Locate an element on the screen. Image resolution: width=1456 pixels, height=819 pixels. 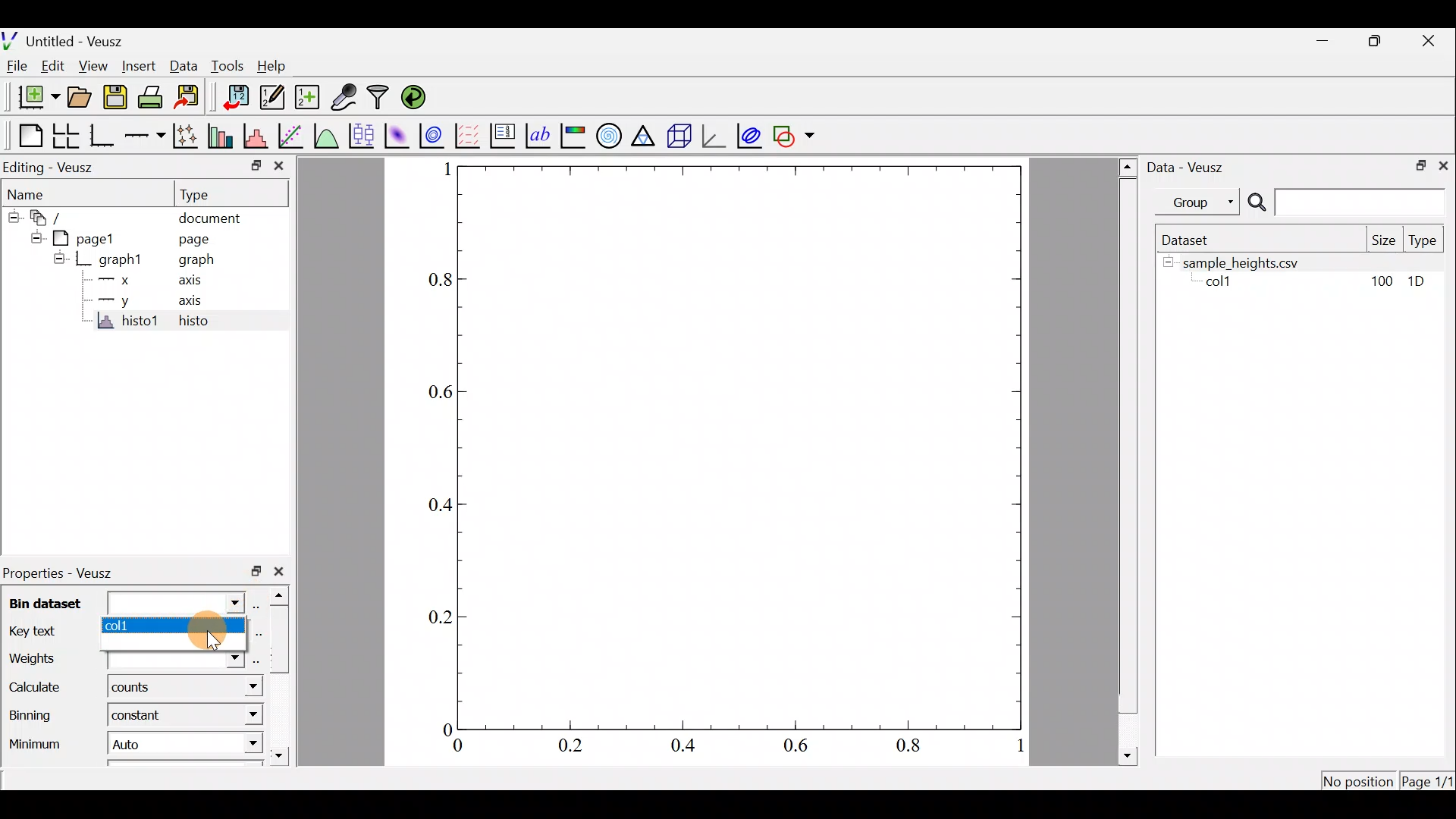
Bin dataset is located at coordinates (126, 600).